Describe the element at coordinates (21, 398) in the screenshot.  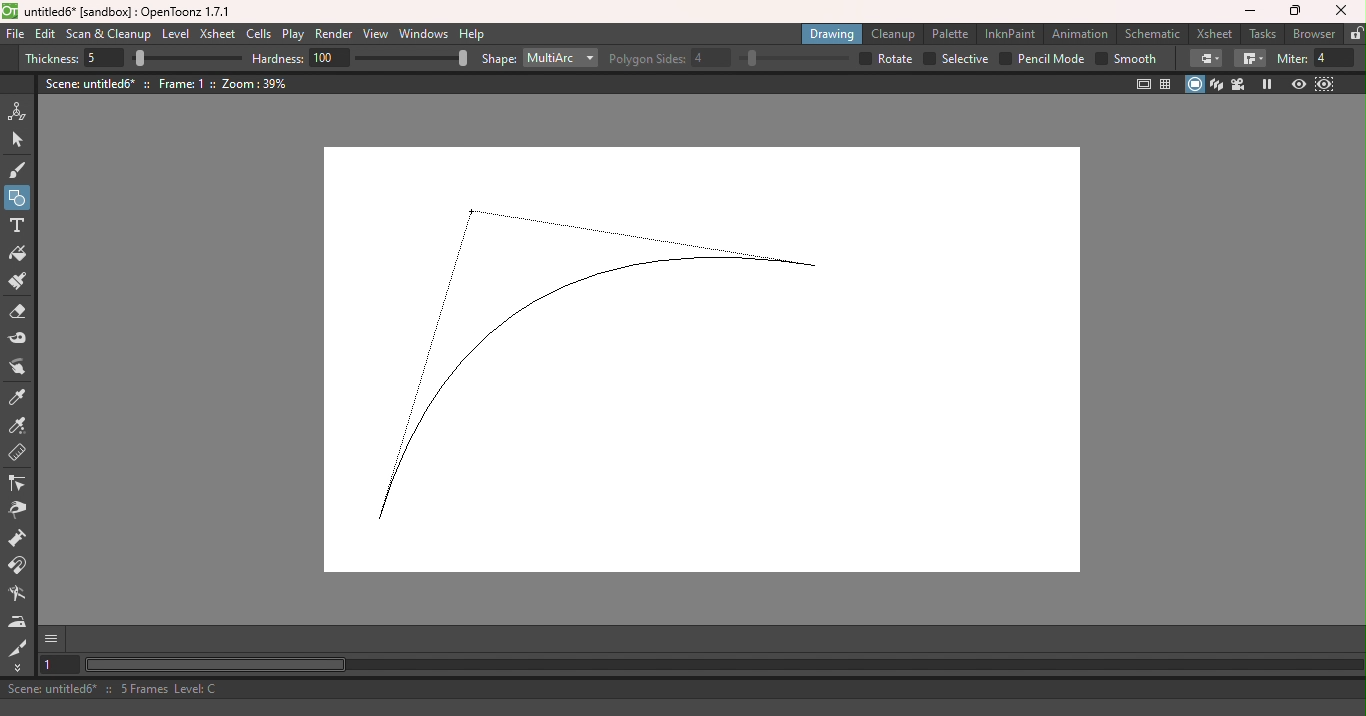
I see `Style picker tool` at that location.